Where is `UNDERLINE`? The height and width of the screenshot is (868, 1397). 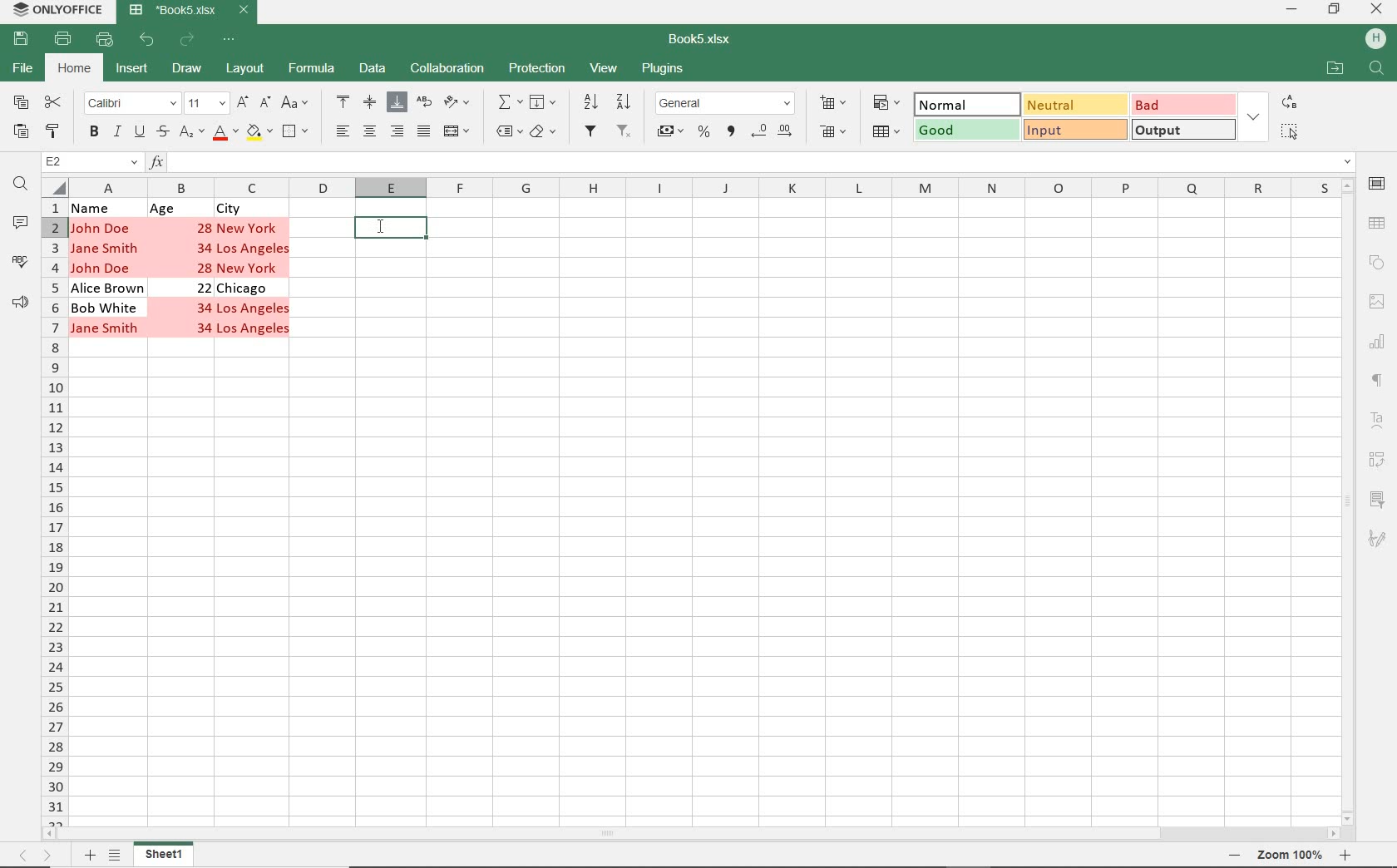 UNDERLINE is located at coordinates (139, 133).